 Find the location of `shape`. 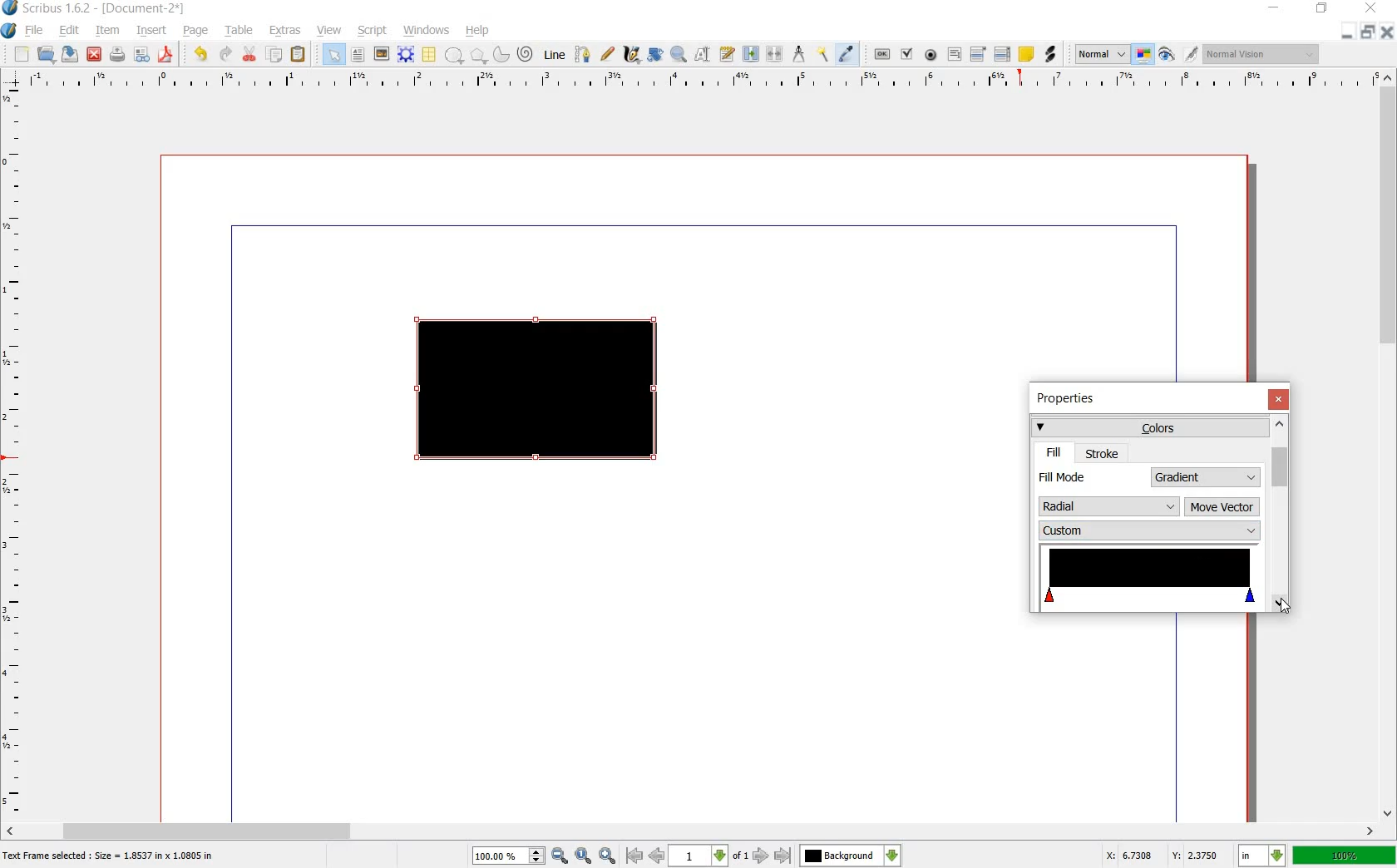

shape is located at coordinates (454, 56).